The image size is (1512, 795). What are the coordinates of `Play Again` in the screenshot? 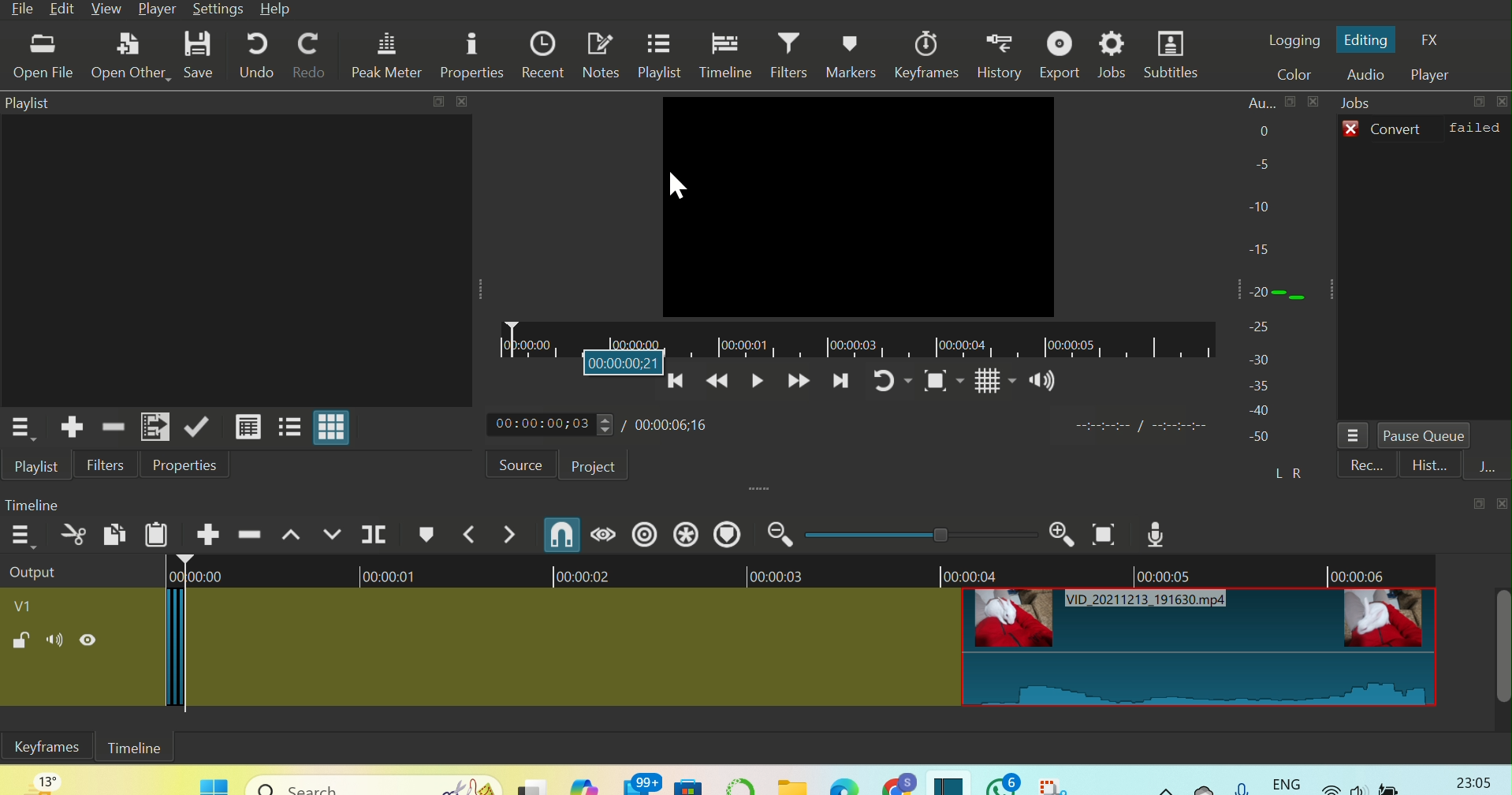 It's located at (889, 385).